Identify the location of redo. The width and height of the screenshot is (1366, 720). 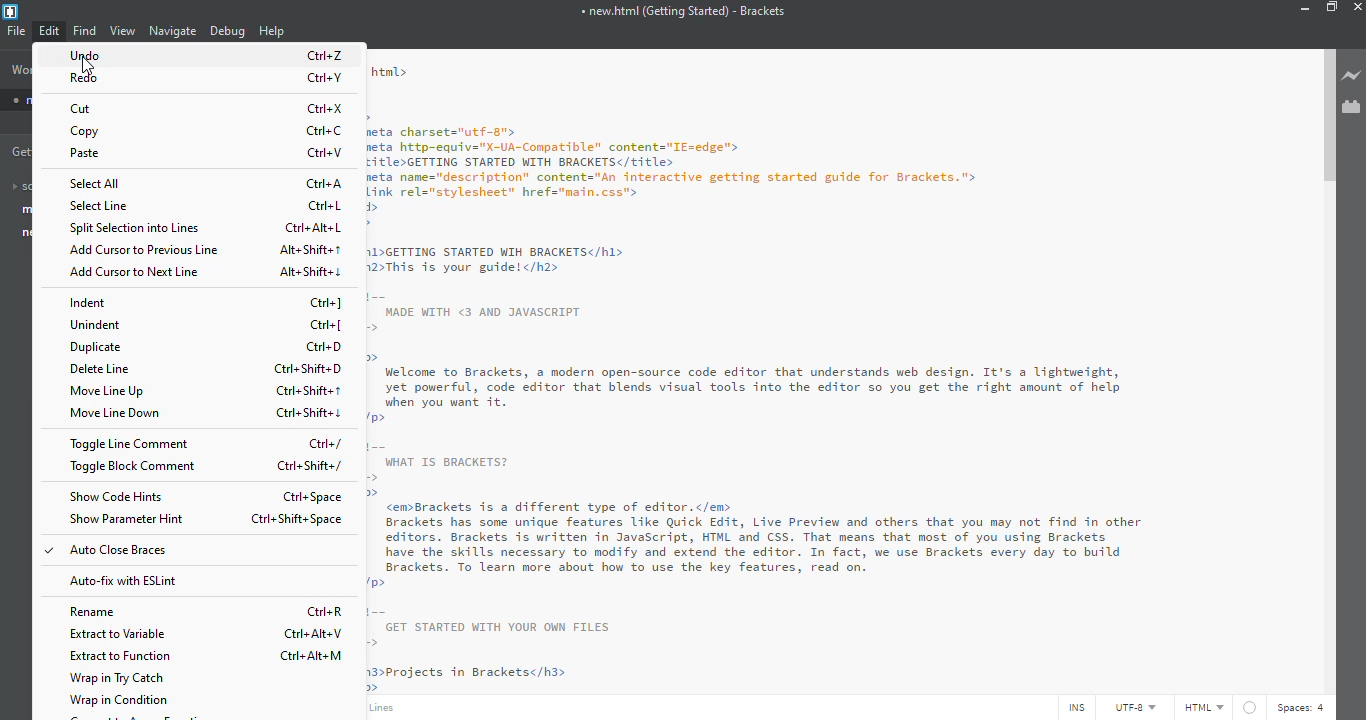
(87, 78).